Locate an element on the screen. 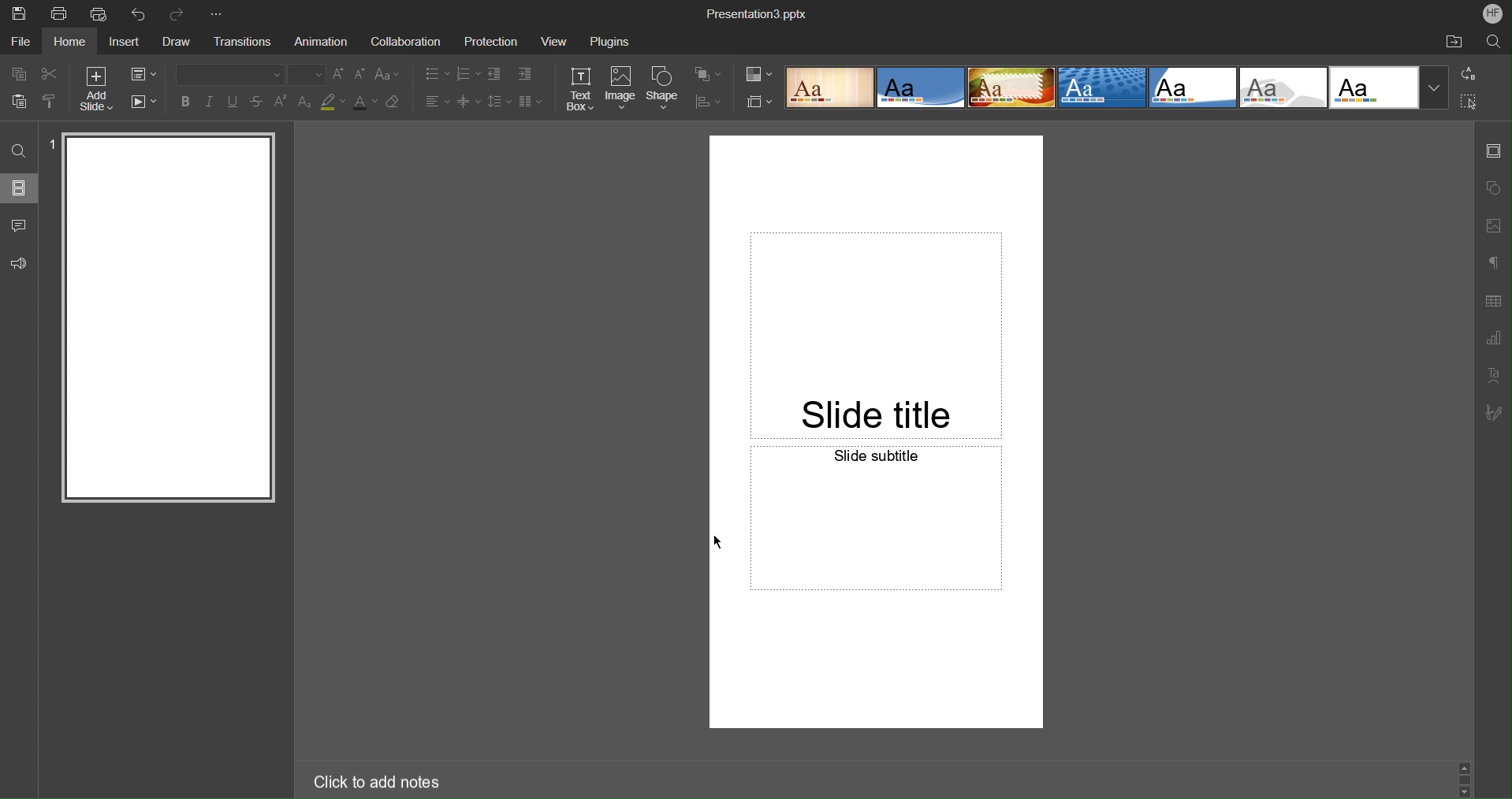 This screenshot has width=1512, height=799. Font size is located at coordinates (307, 74).